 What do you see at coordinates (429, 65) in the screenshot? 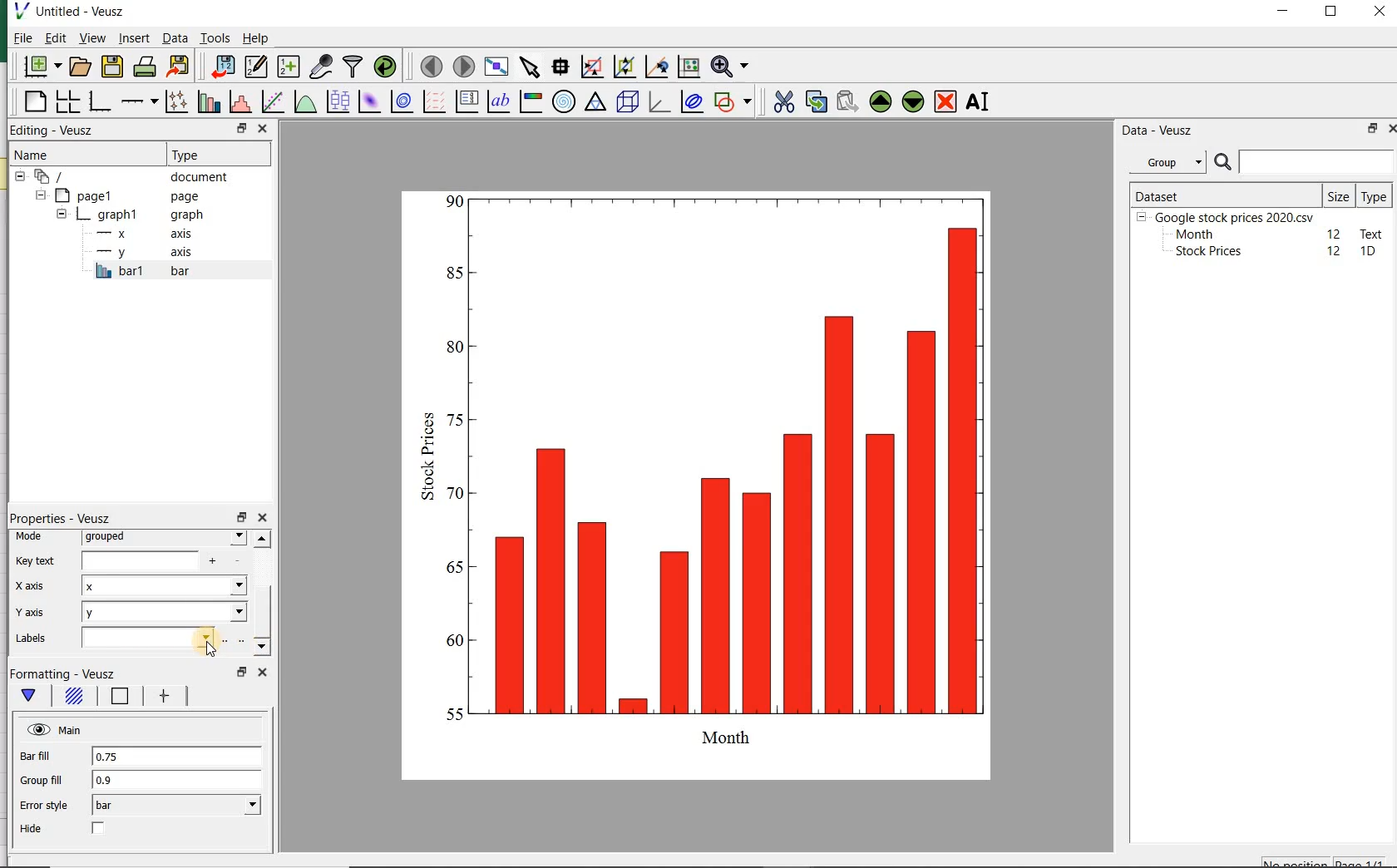
I see `move to the previous page` at bounding box center [429, 65].